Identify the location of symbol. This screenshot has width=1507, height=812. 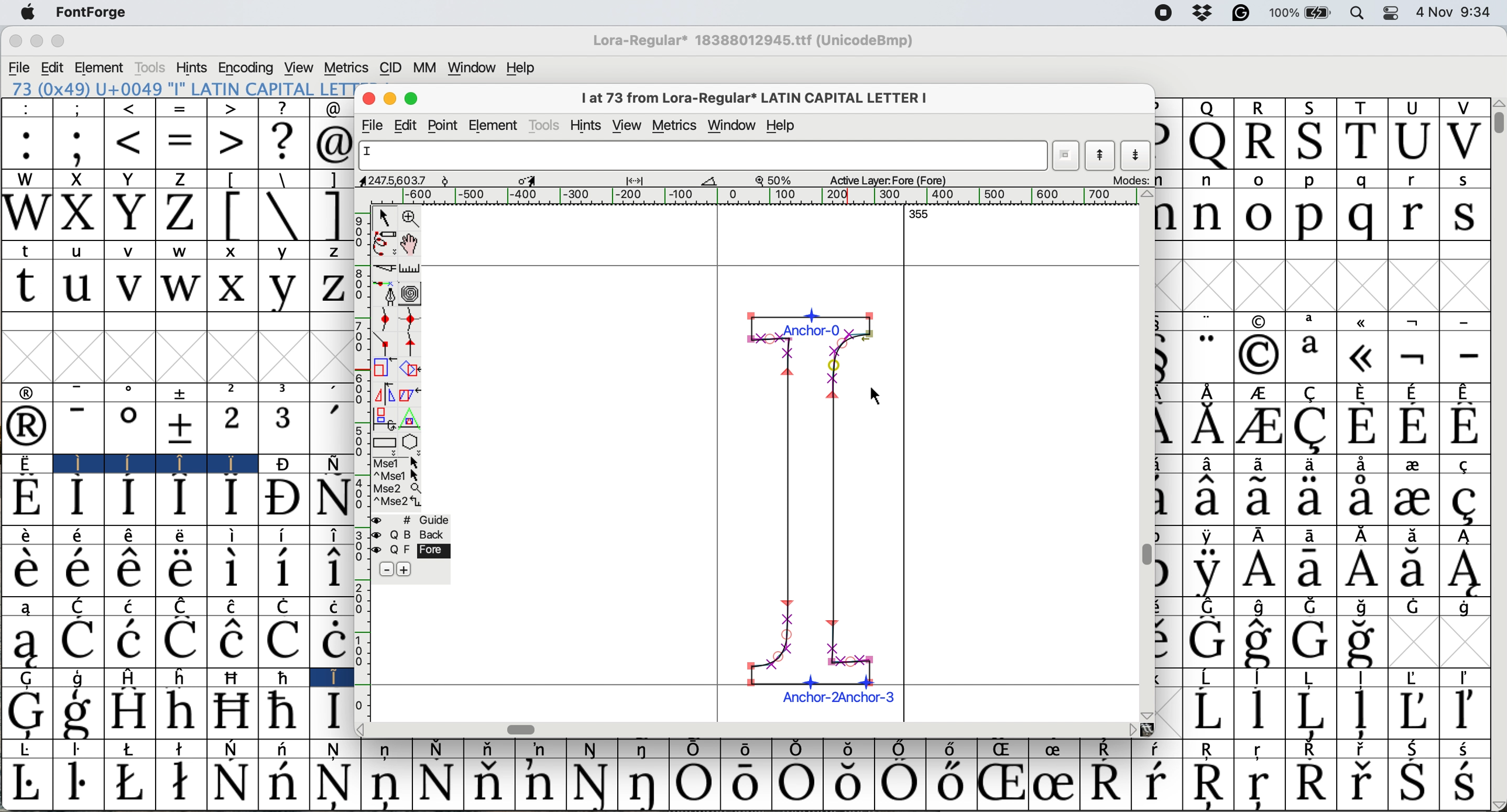
(183, 392).